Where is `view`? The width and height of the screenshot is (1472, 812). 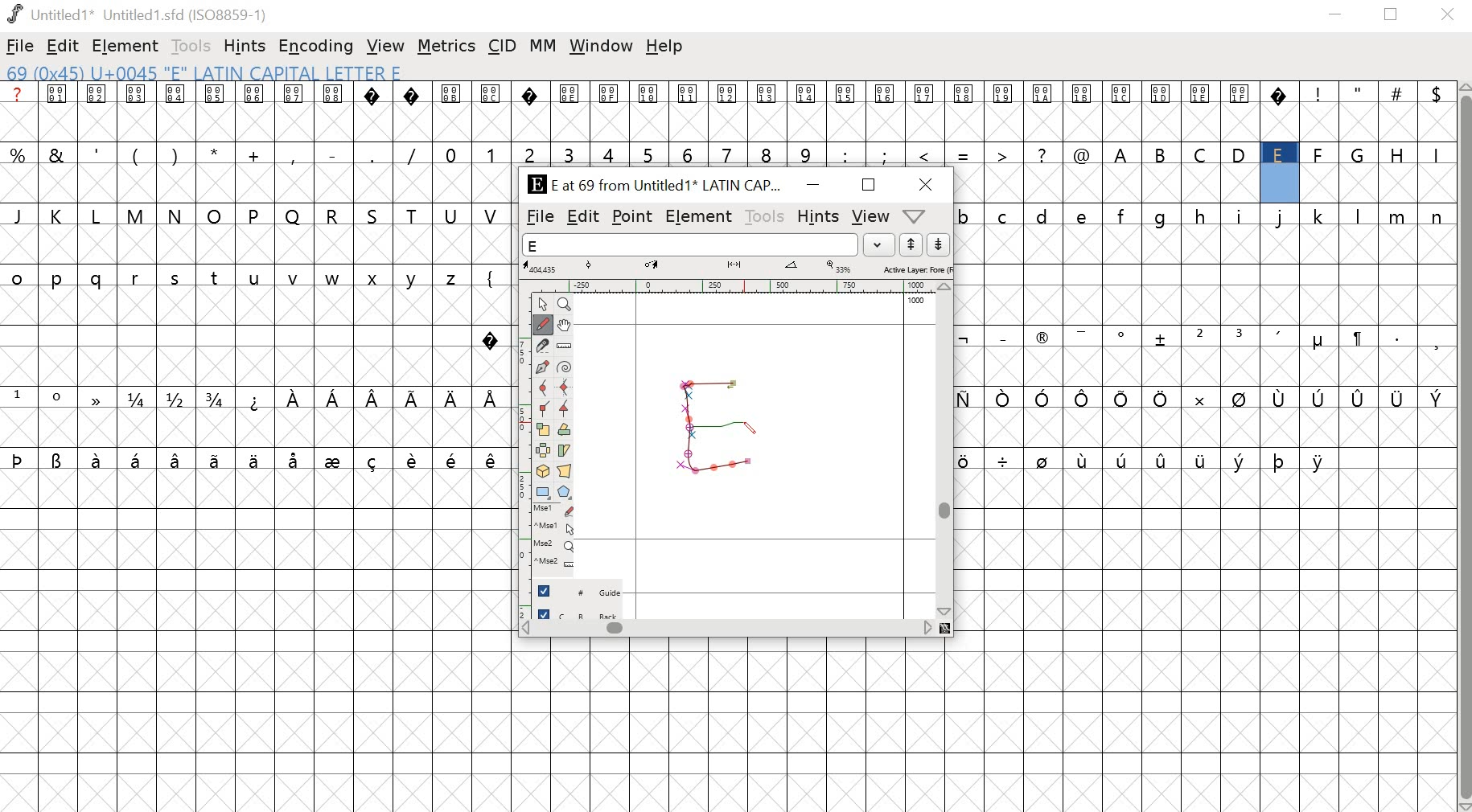 view is located at coordinates (386, 46).